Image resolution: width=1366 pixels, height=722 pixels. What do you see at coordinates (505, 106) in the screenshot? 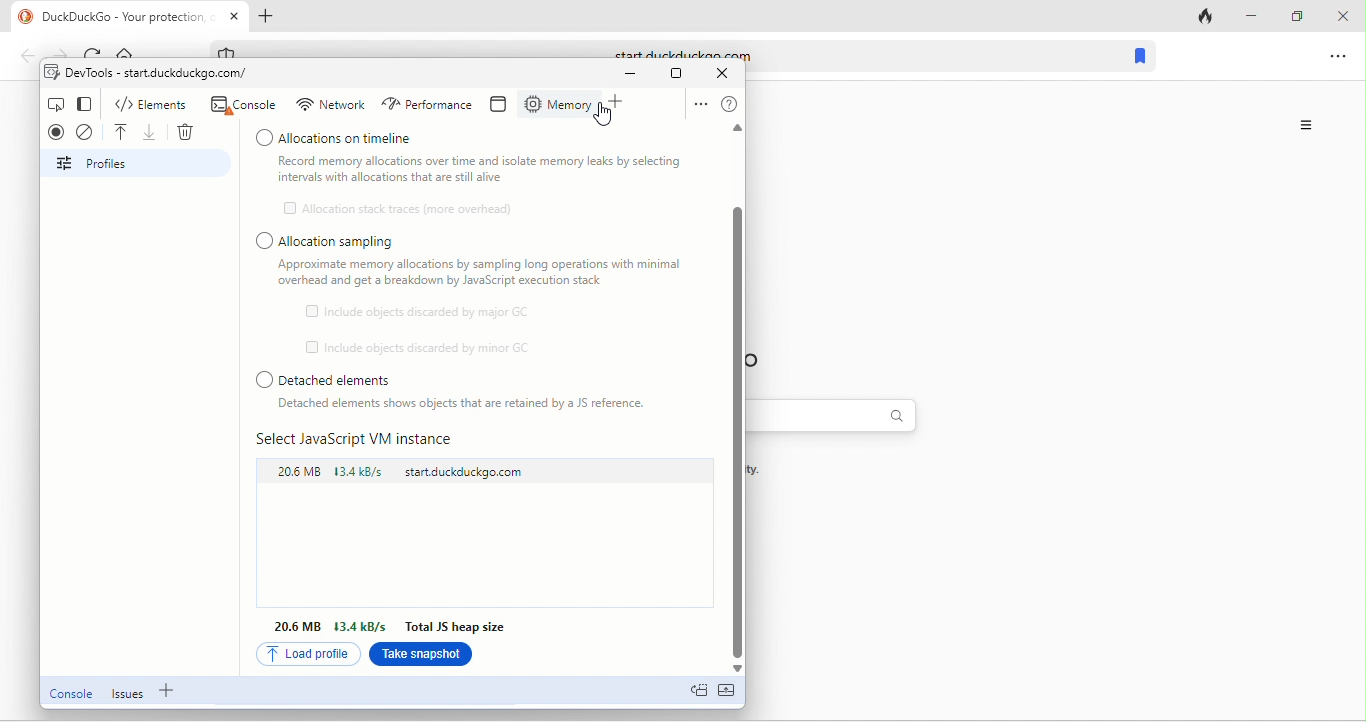
I see `application` at bounding box center [505, 106].